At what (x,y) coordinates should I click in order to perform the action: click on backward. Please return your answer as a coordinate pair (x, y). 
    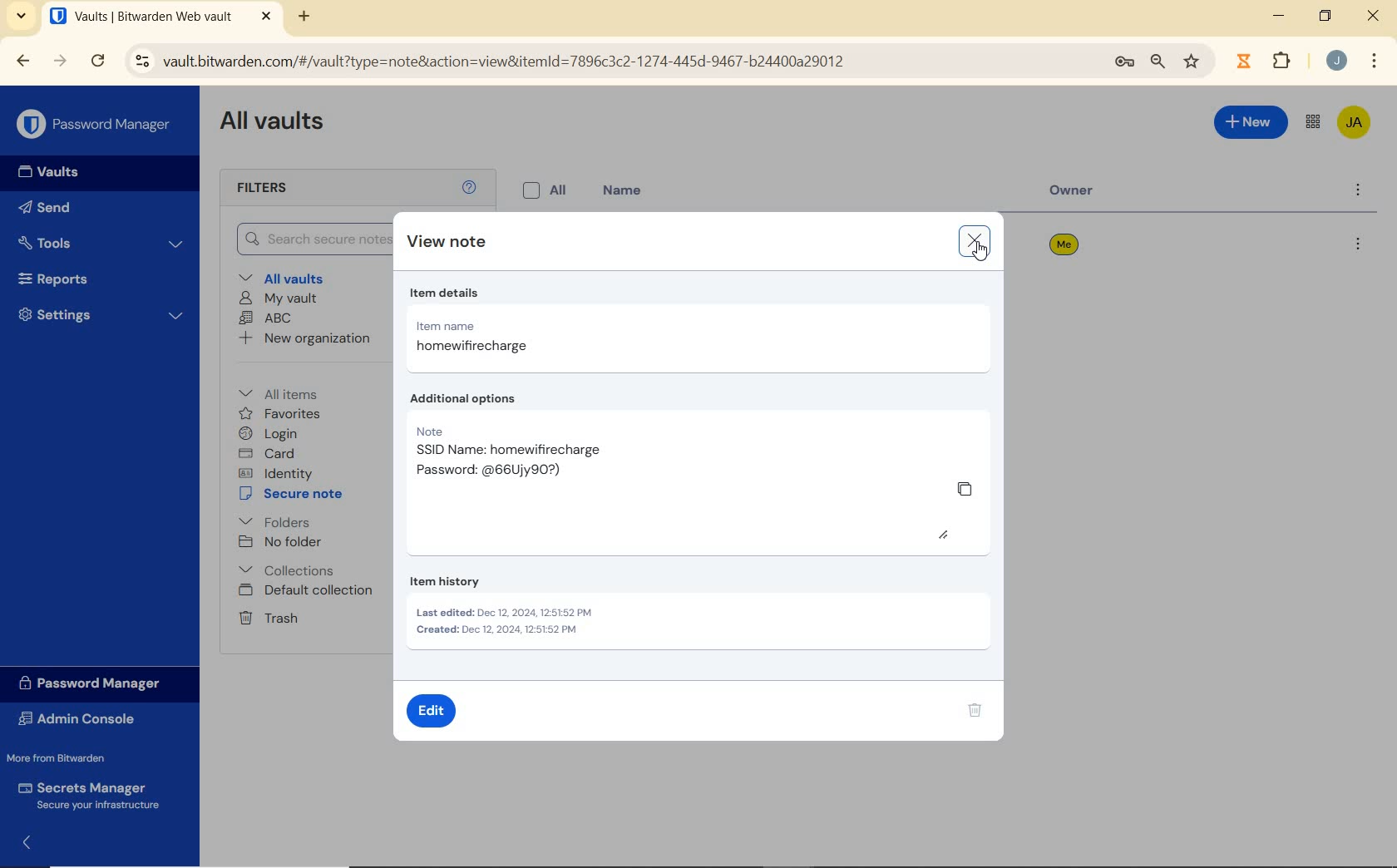
    Looking at the image, I should click on (23, 62).